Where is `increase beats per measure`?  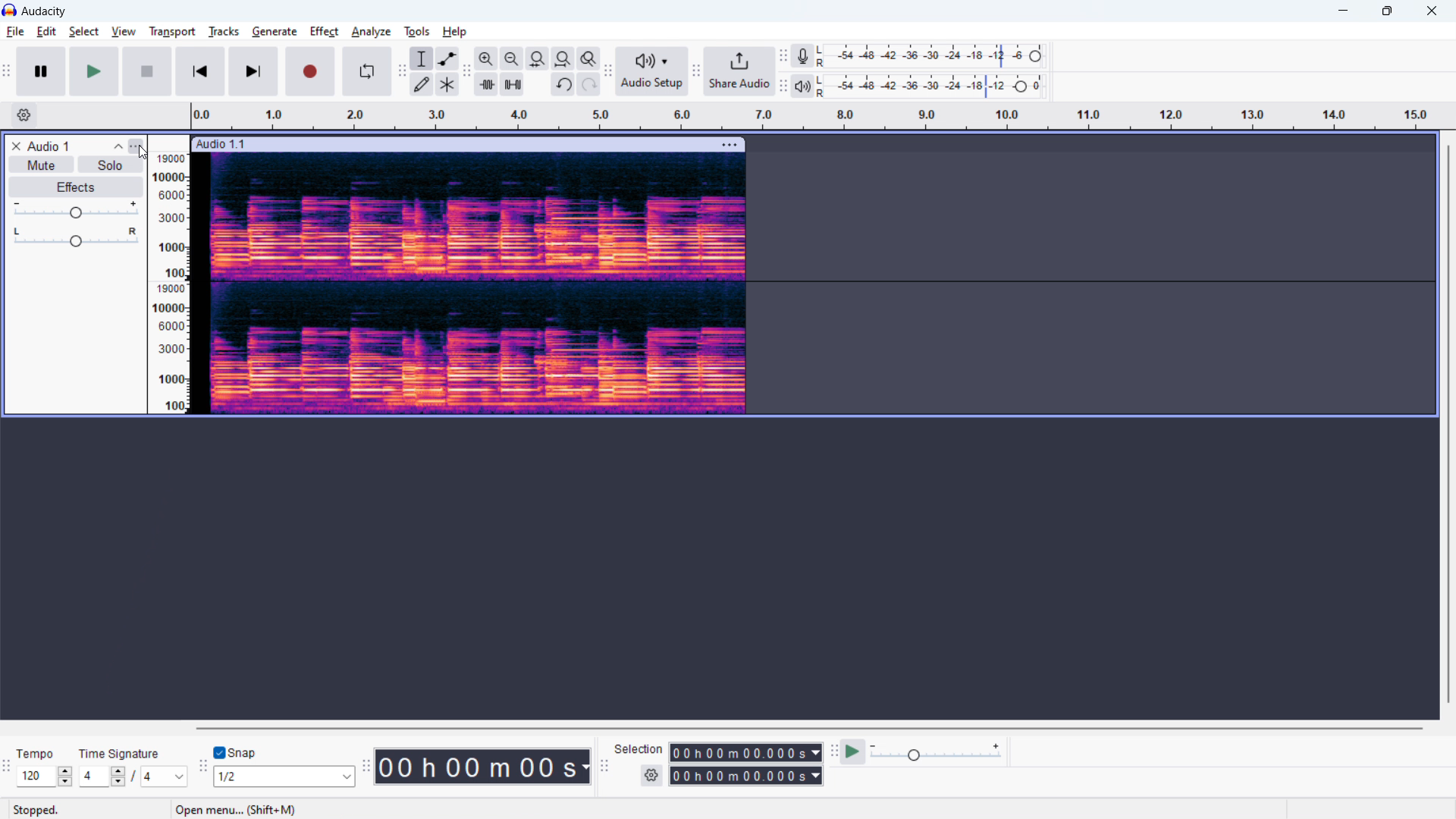 increase beats per measure is located at coordinates (118, 770).